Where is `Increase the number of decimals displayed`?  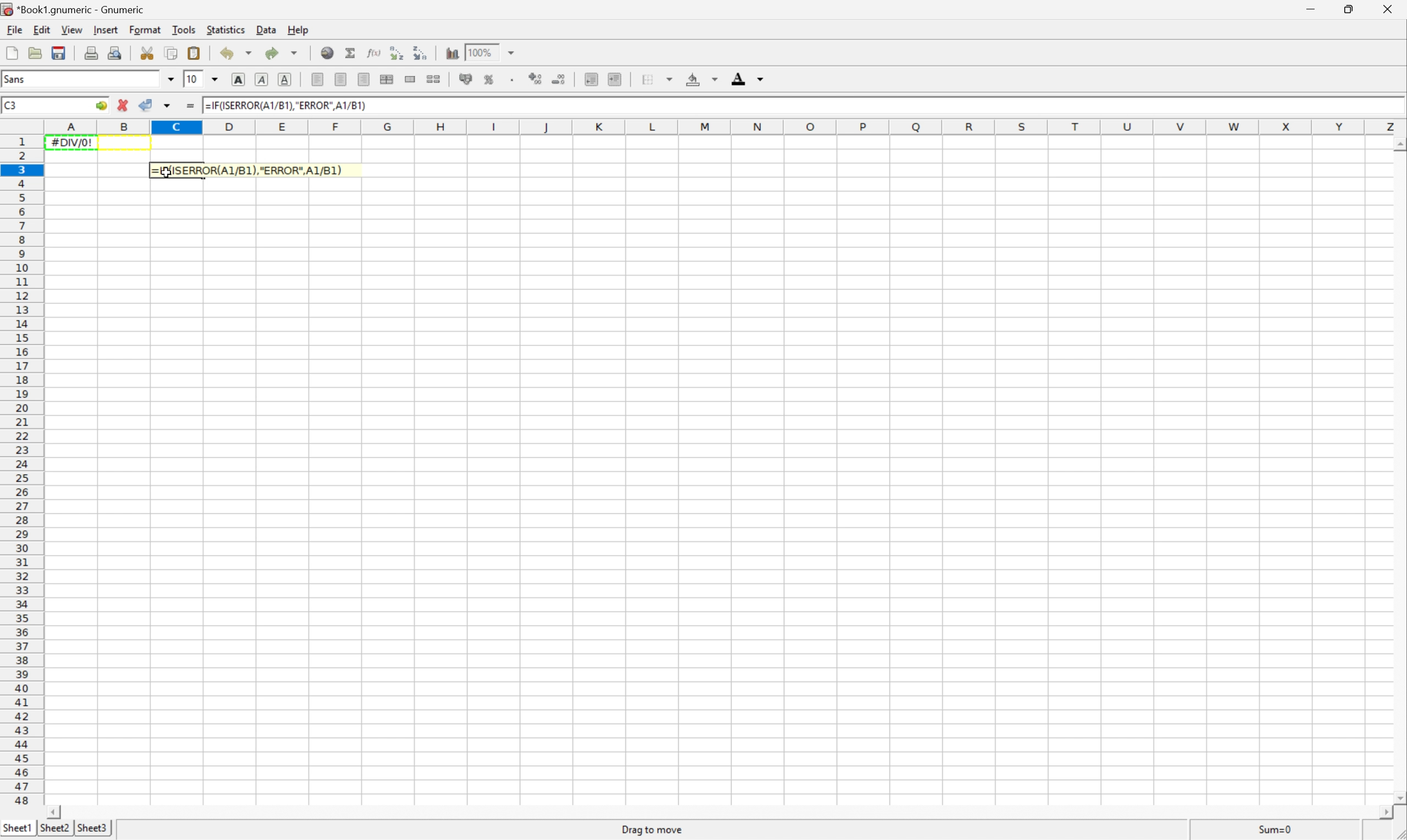
Increase the number of decimals displayed is located at coordinates (537, 79).